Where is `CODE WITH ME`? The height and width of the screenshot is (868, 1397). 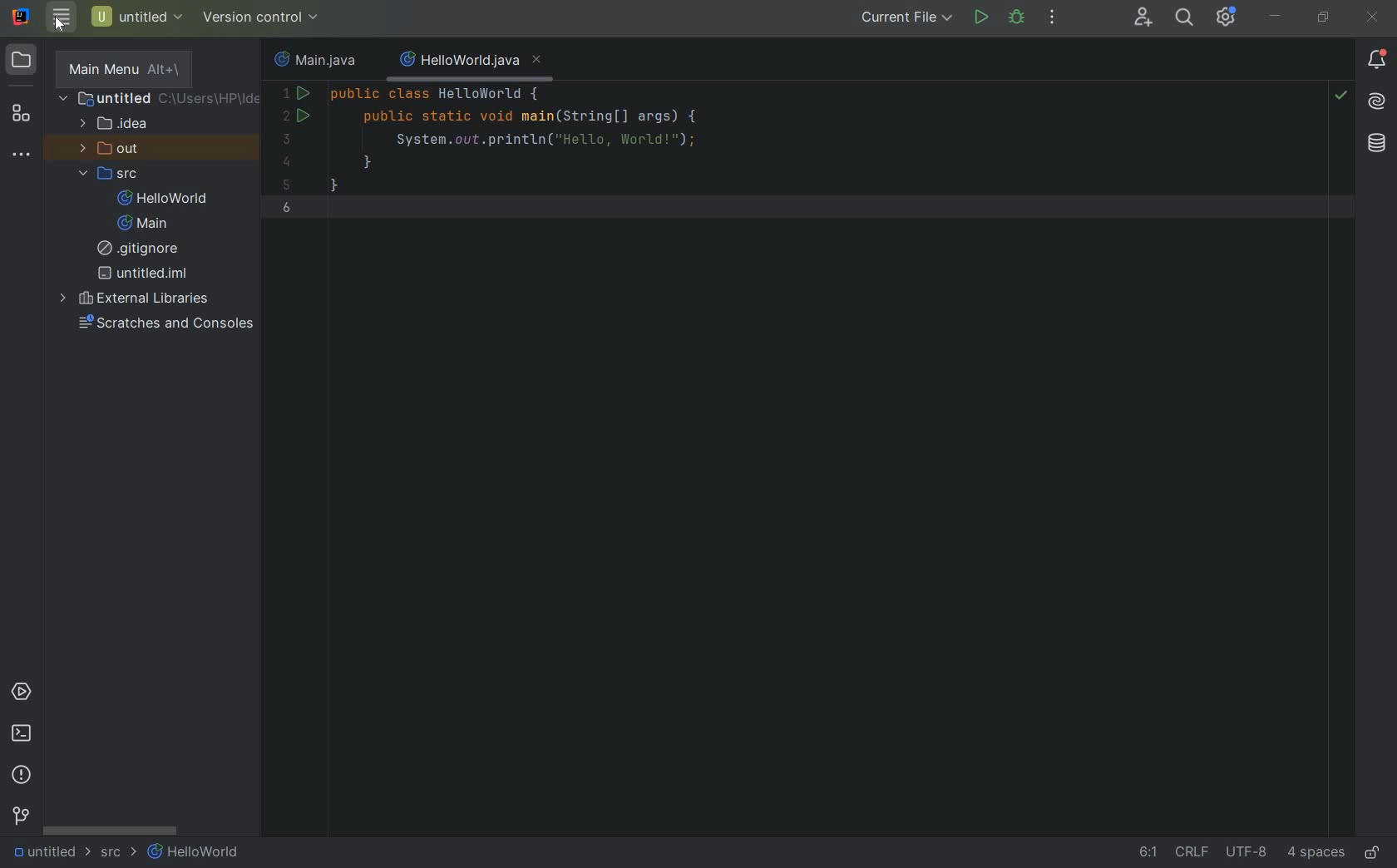
CODE WITH ME is located at coordinates (1144, 17).